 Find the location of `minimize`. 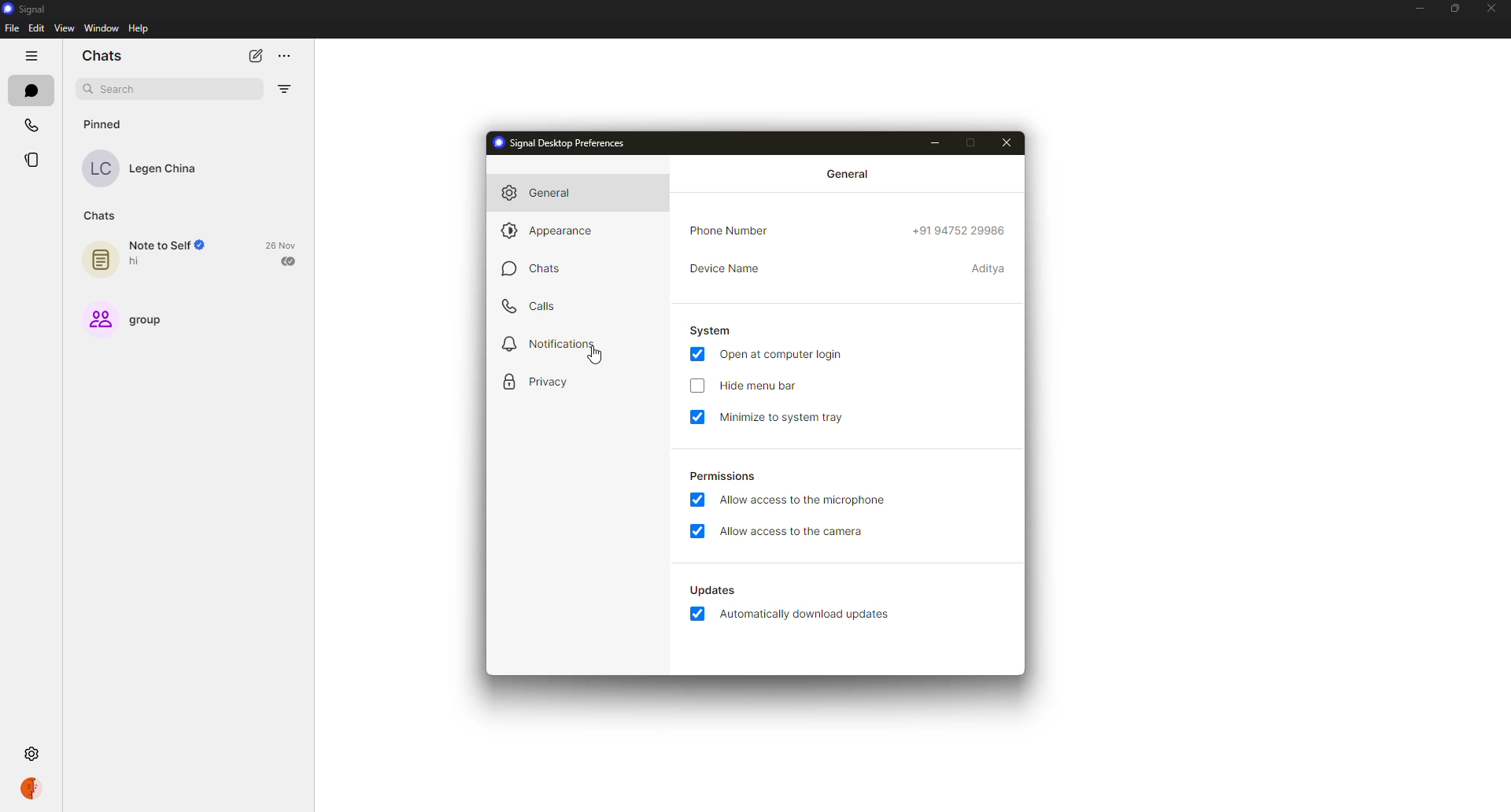

minimize is located at coordinates (1417, 9).